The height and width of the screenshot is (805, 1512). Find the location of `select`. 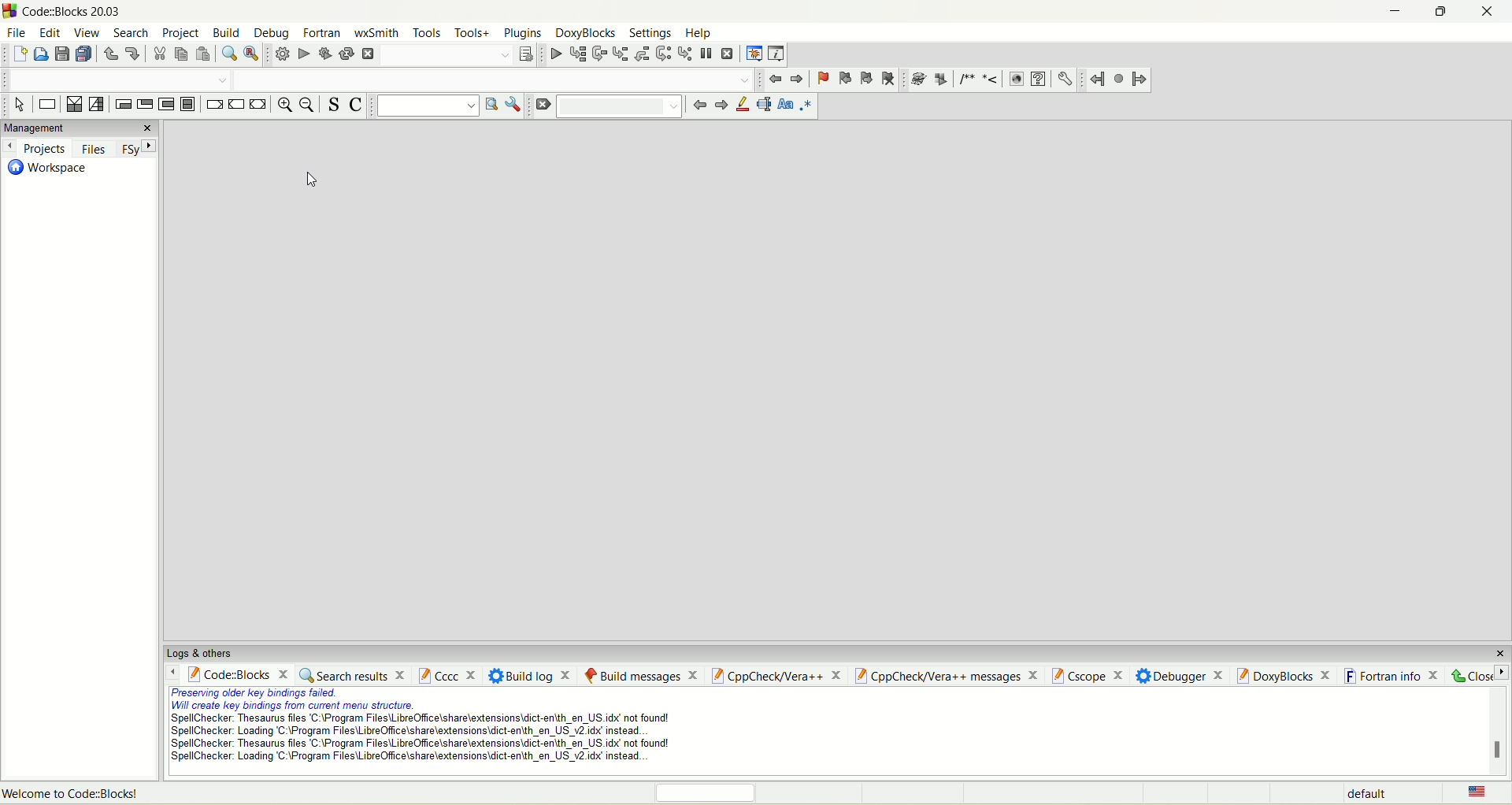

select is located at coordinates (17, 104).